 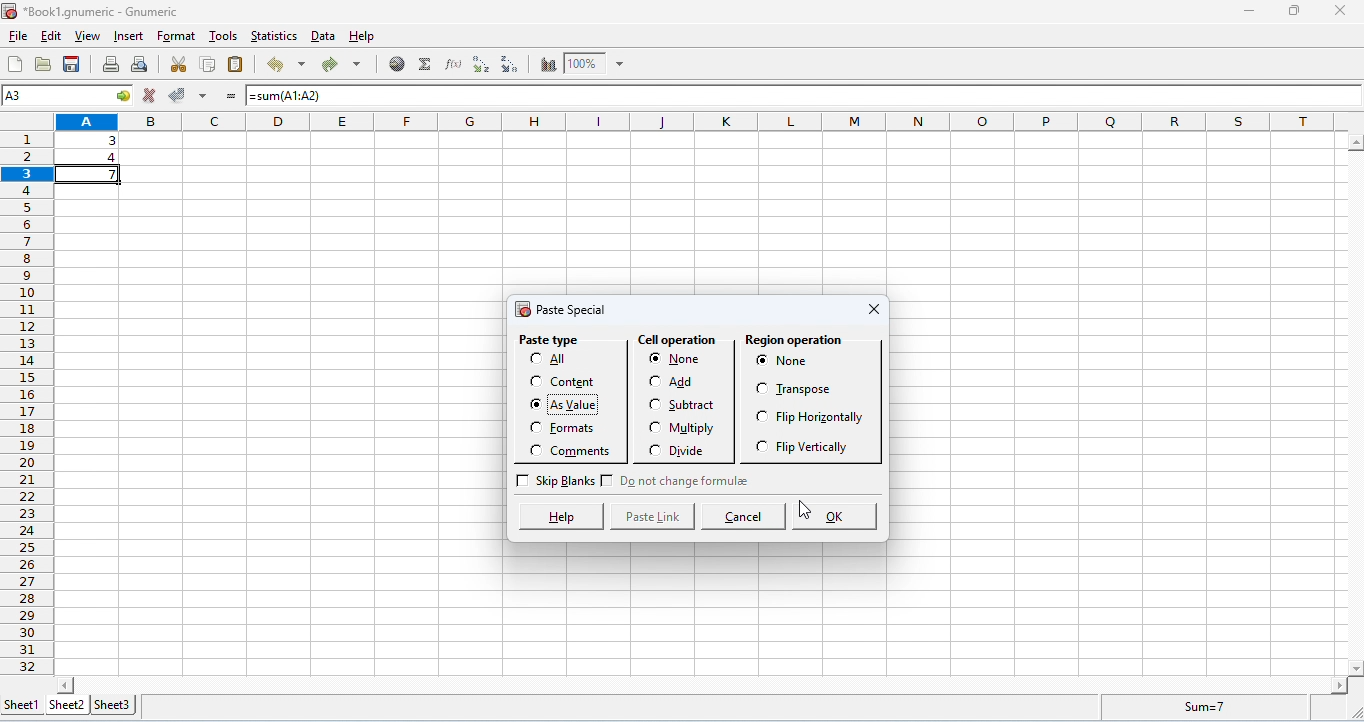 I want to click on print, so click(x=112, y=65).